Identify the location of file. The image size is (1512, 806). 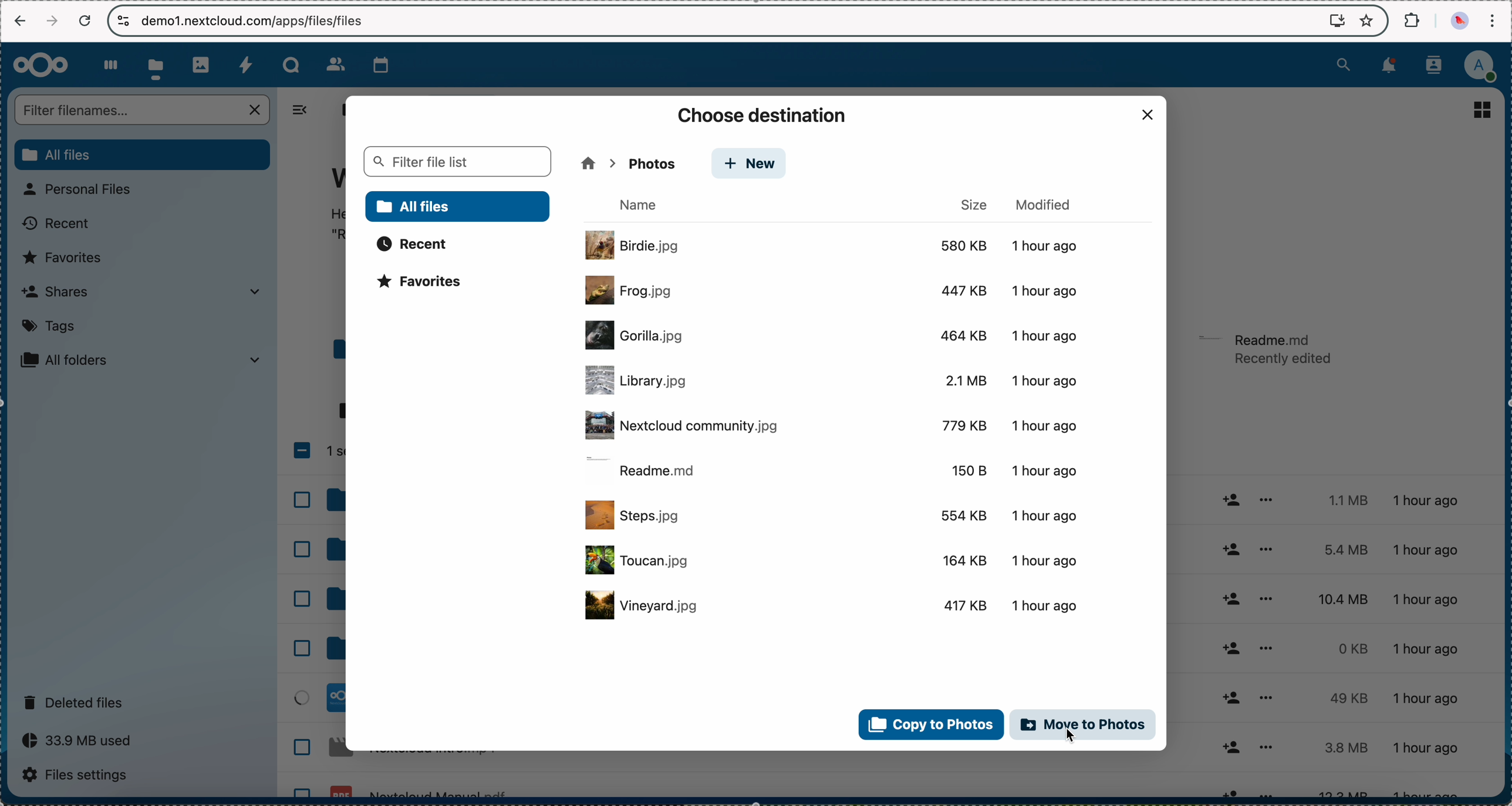
(837, 290).